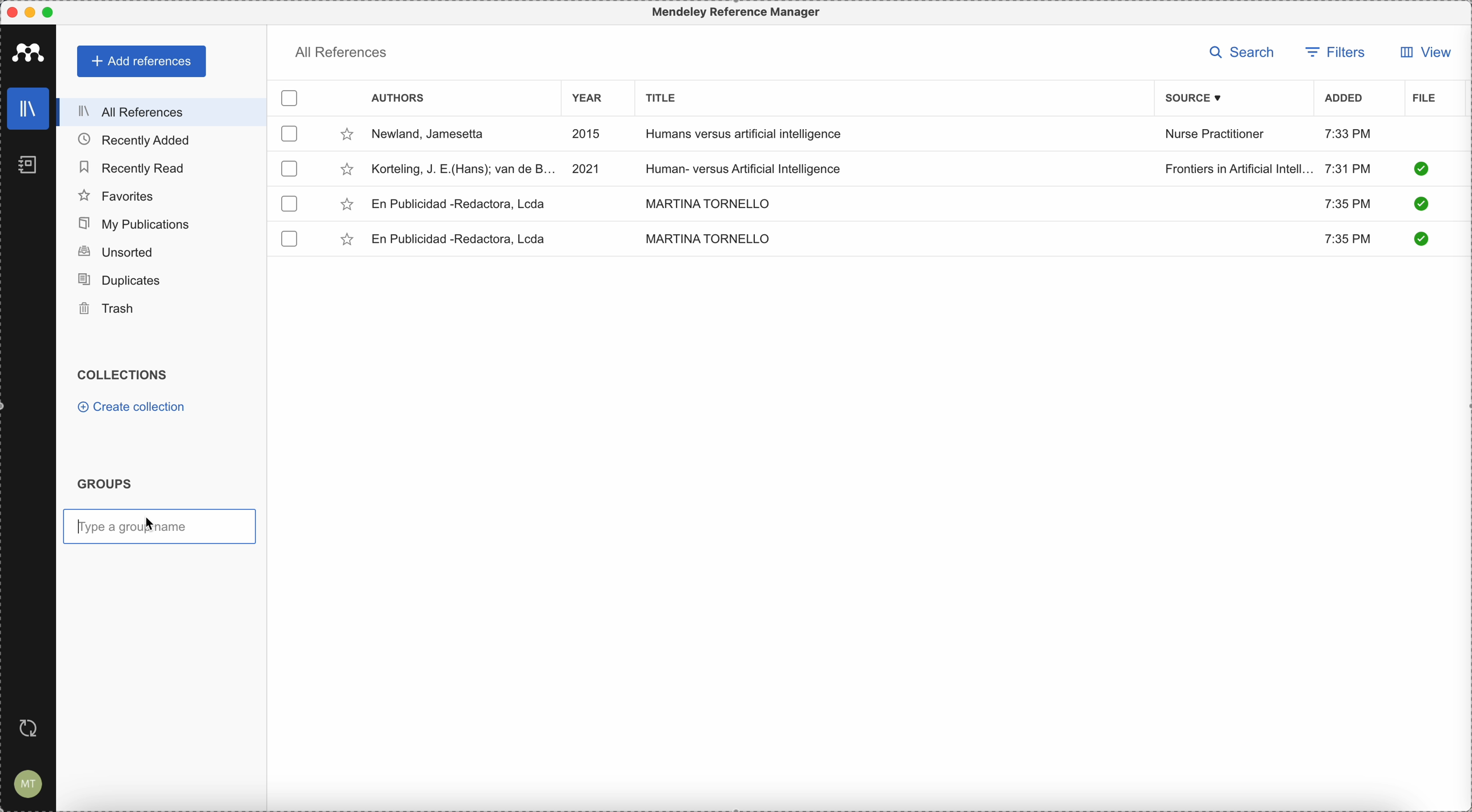  What do you see at coordinates (30, 168) in the screenshot?
I see `notebooks` at bounding box center [30, 168].